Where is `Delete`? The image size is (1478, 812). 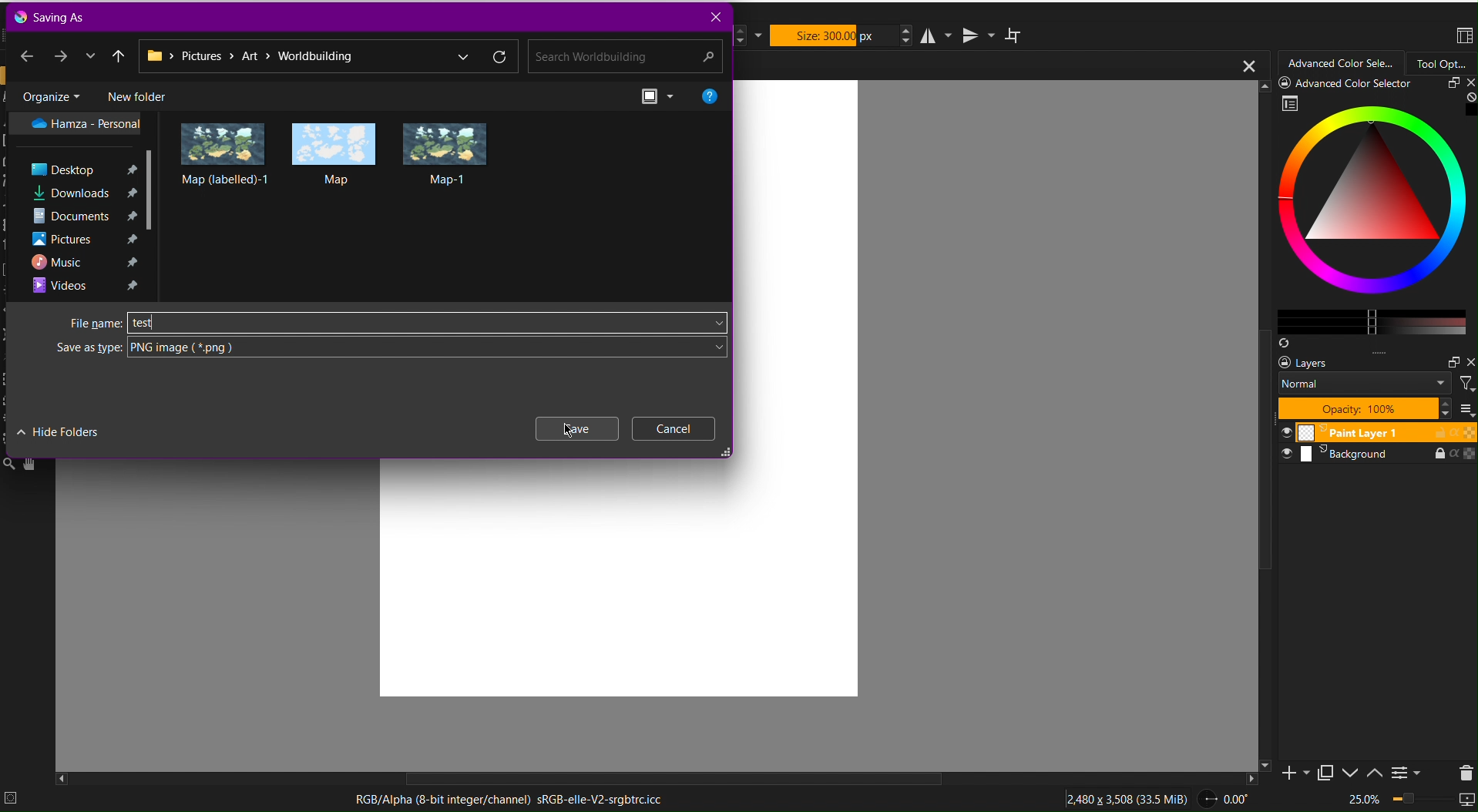 Delete is located at coordinates (1463, 771).